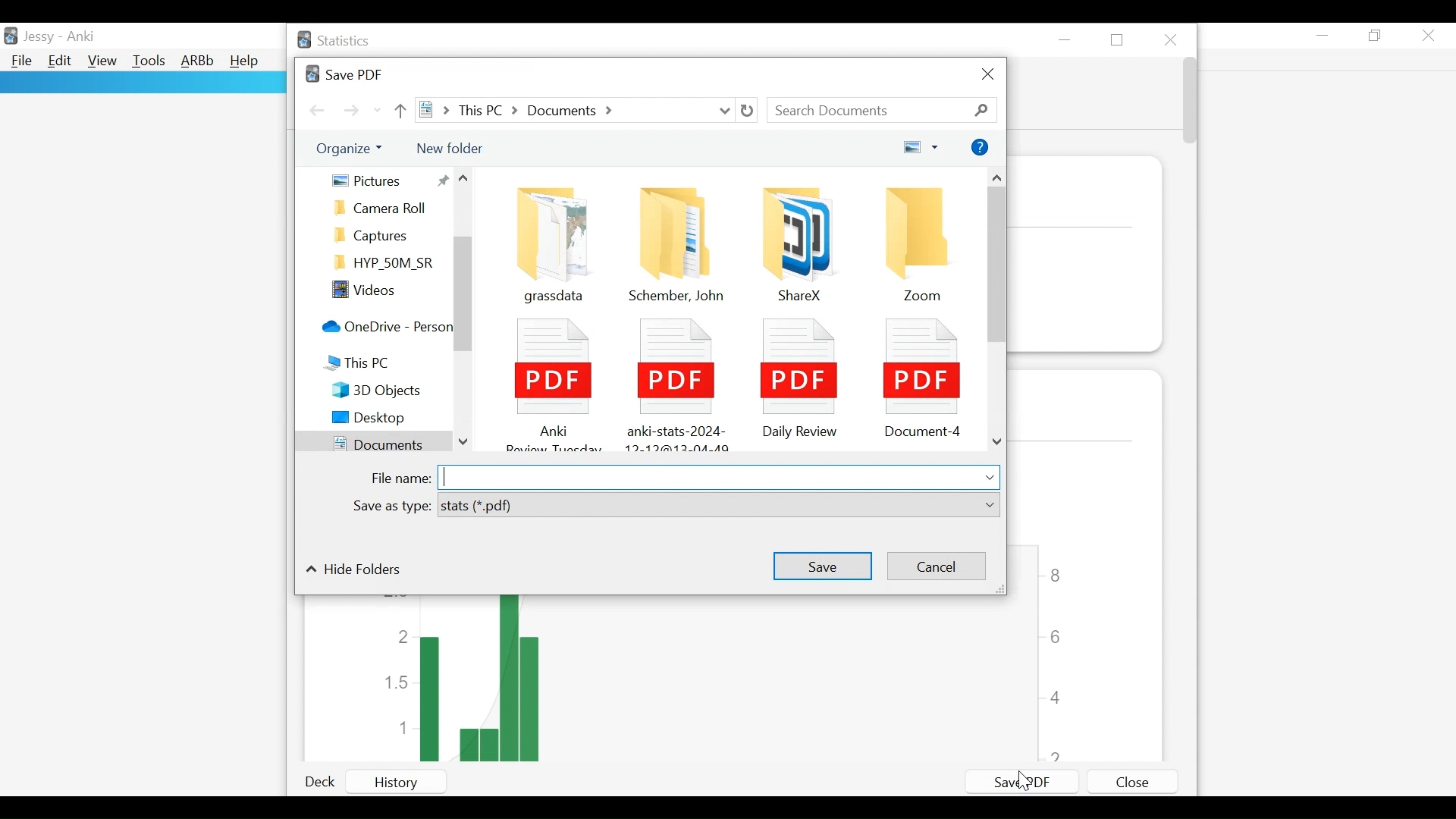 The width and height of the screenshot is (1456, 819). Describe the element at coordinates (1131, 782) in the screenshot. I see `Close` at that location.